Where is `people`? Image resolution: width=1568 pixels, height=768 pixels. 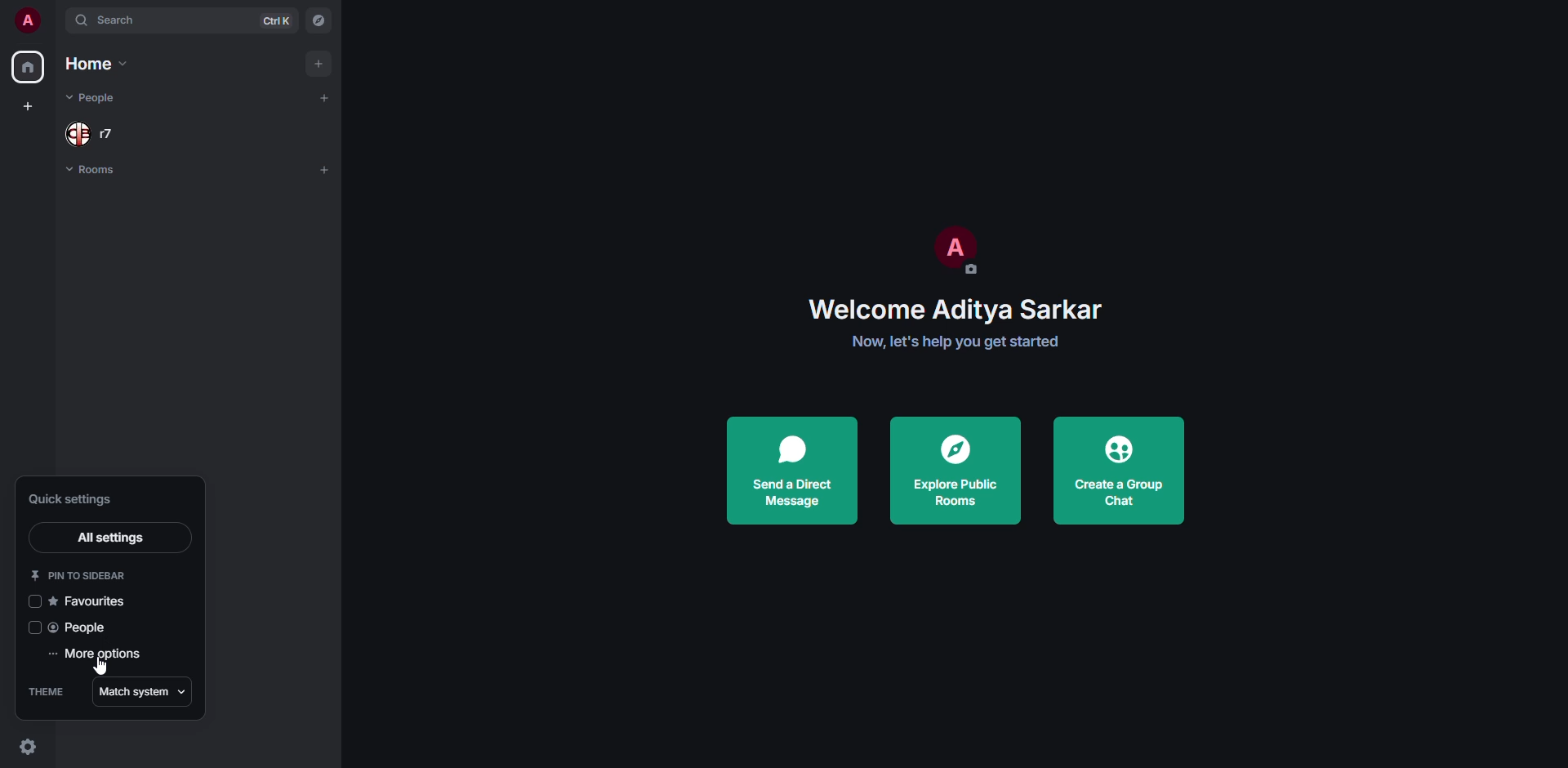 people is located at coordinates (87, 133).